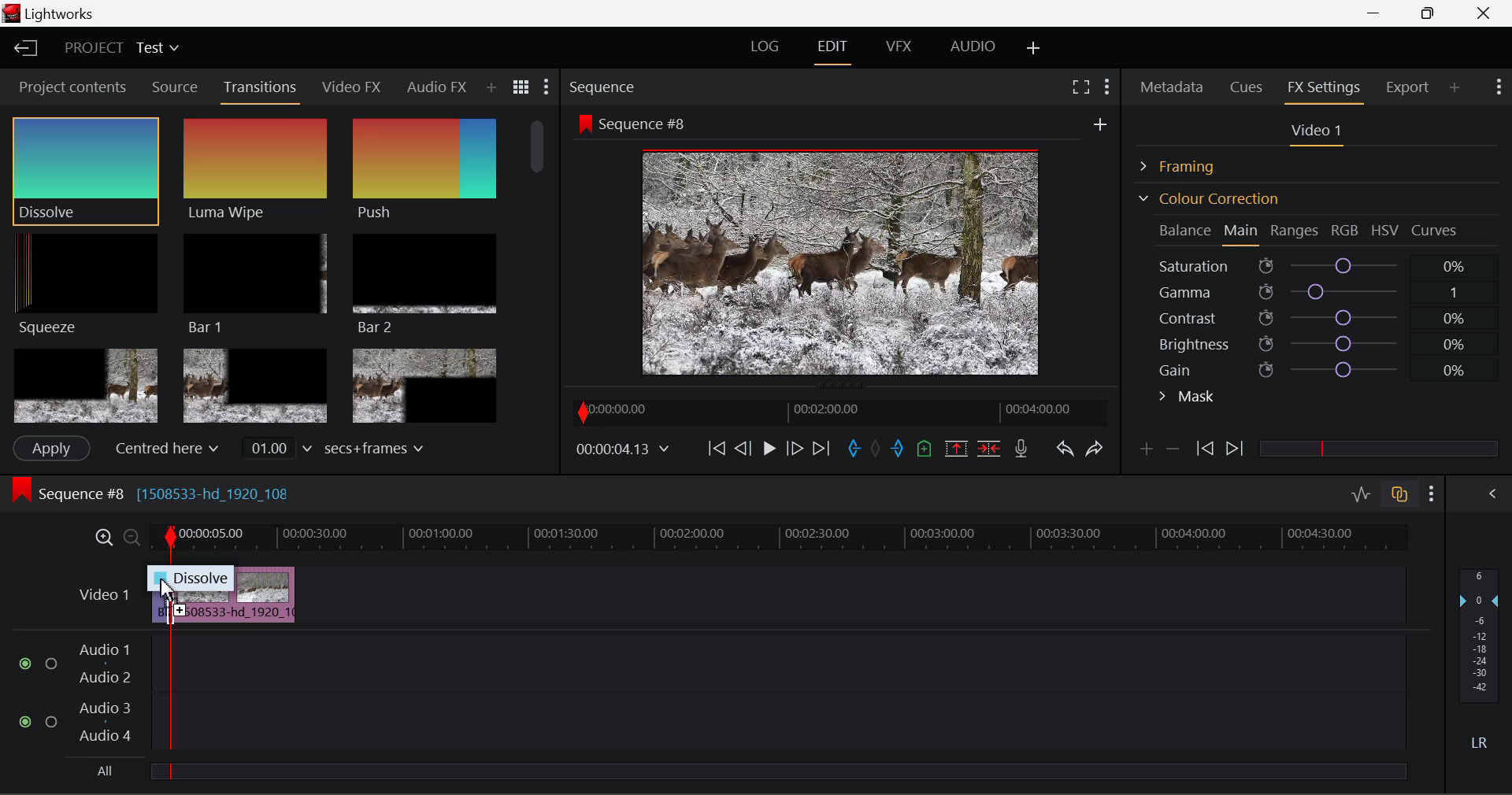  What do you see at coordinates (821, 449) in the screenshot?
I see `To End` at bounding box center [821, 449].